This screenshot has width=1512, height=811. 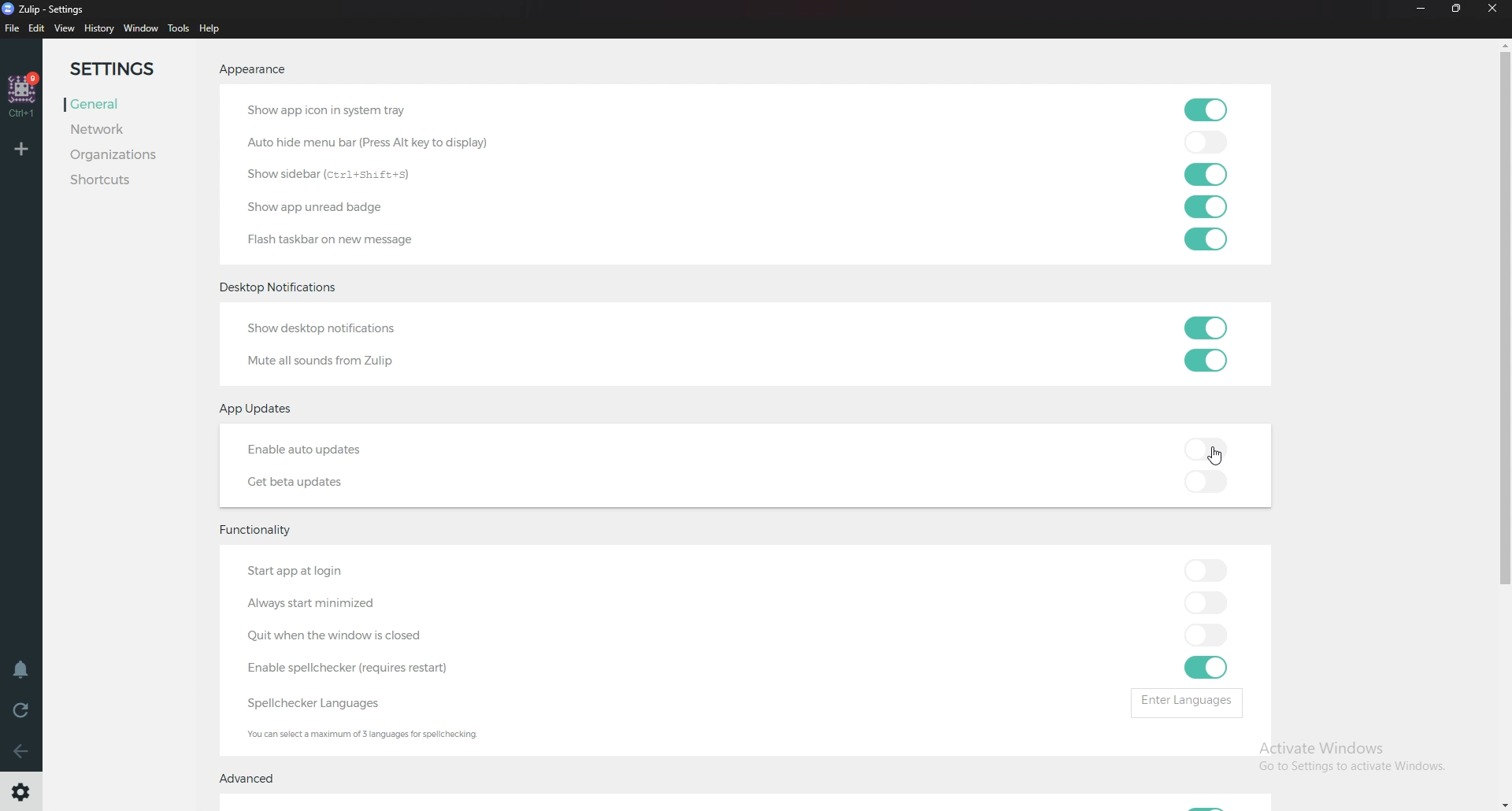 I want to click on Add workspace, so click(x=24, y=148).